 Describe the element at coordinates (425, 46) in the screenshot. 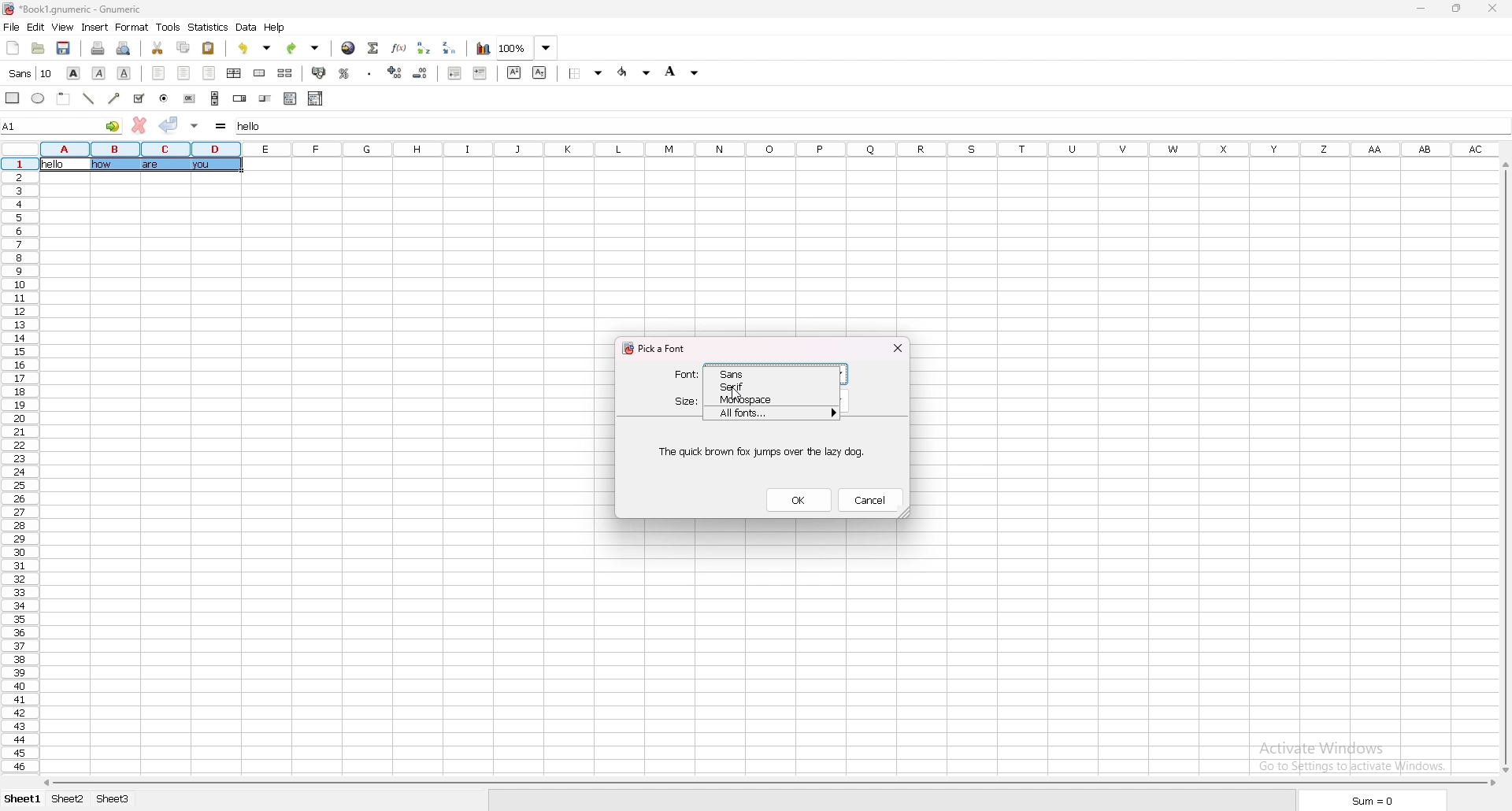

I see `sort ascending` at that location.